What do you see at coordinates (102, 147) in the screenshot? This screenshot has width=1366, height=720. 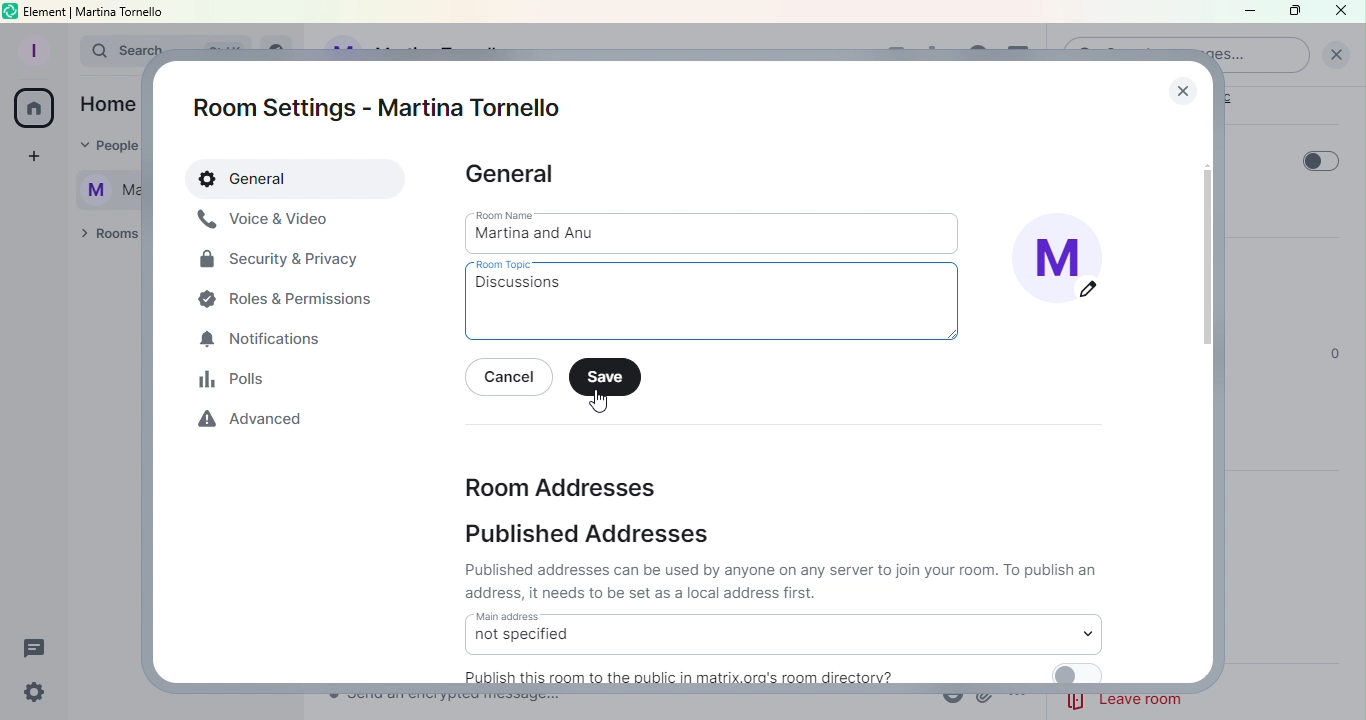 I see `People` at bounding box center [102, 147].